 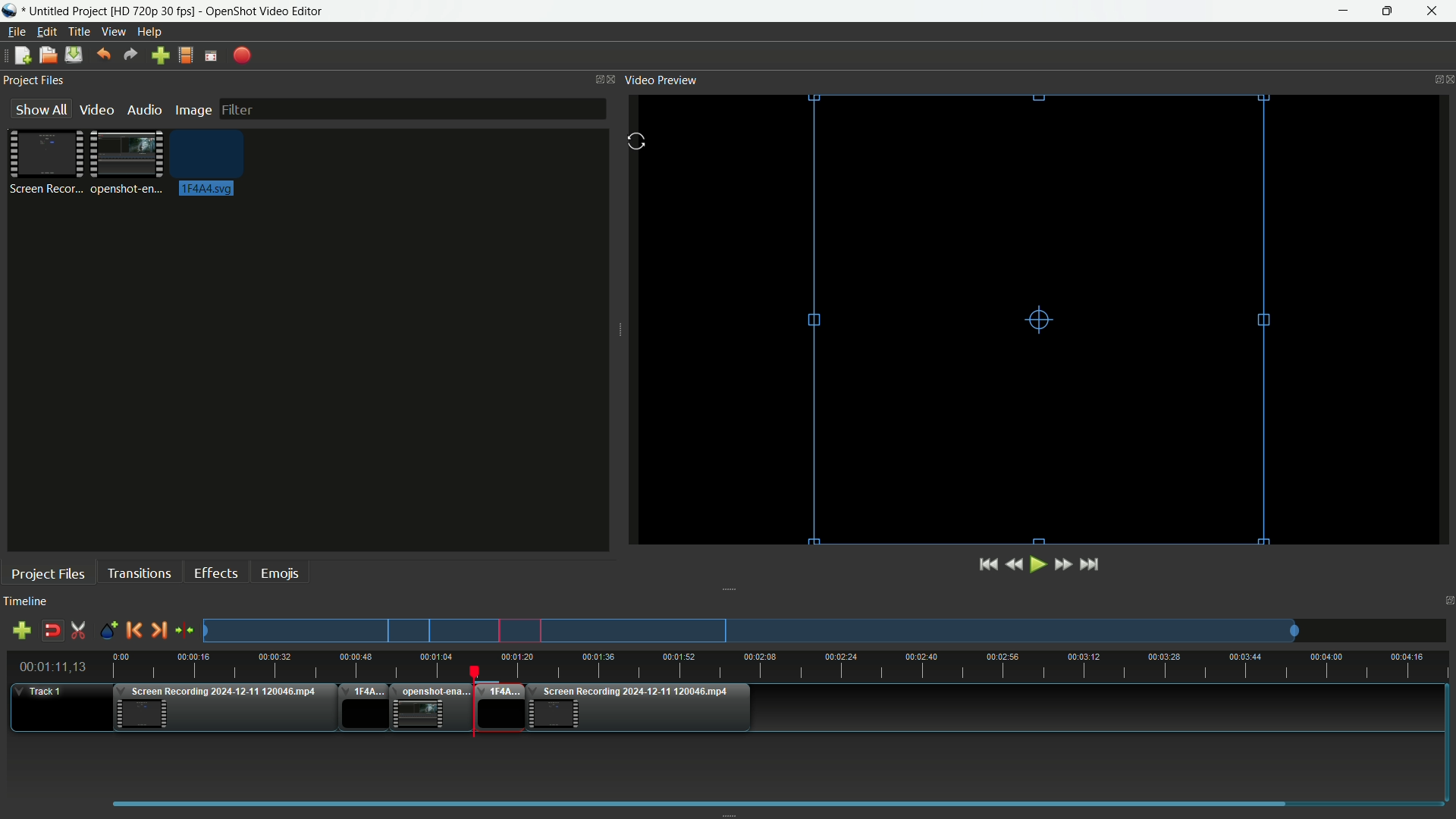 What do you see at coordinates (49, 161) in the screenshot?
I see `Project file one` at bounding box center [49, 161].